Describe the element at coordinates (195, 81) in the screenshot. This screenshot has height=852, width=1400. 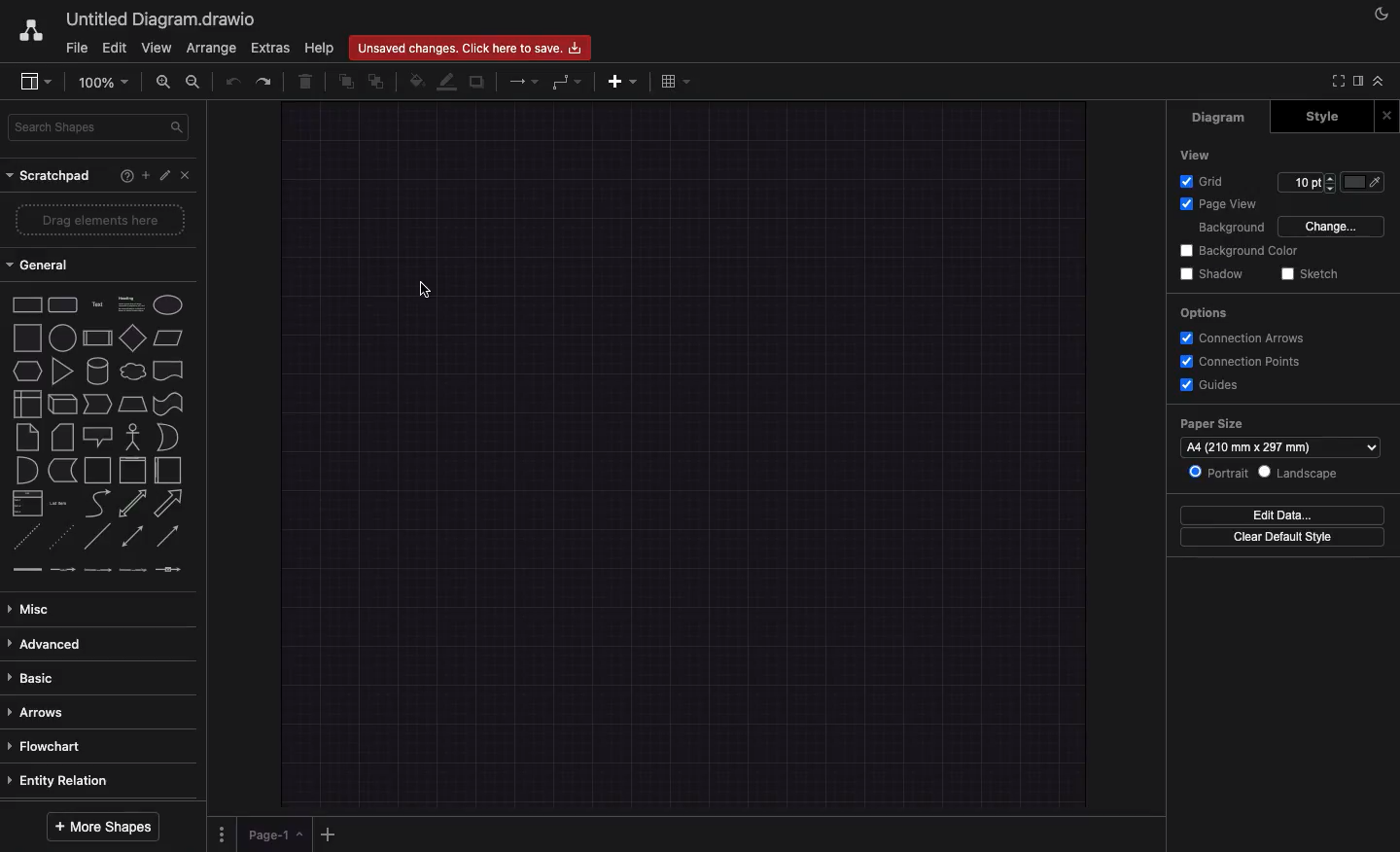
I see `Zoom out` at that location.